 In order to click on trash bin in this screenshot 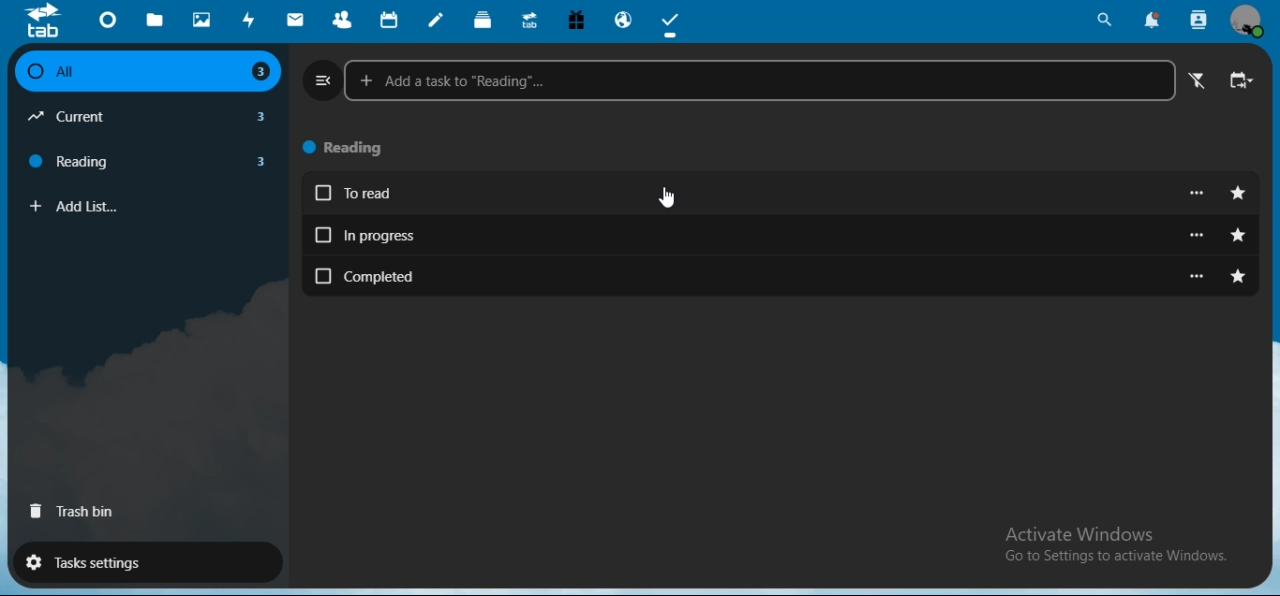, I will do `click(74, 514)`.